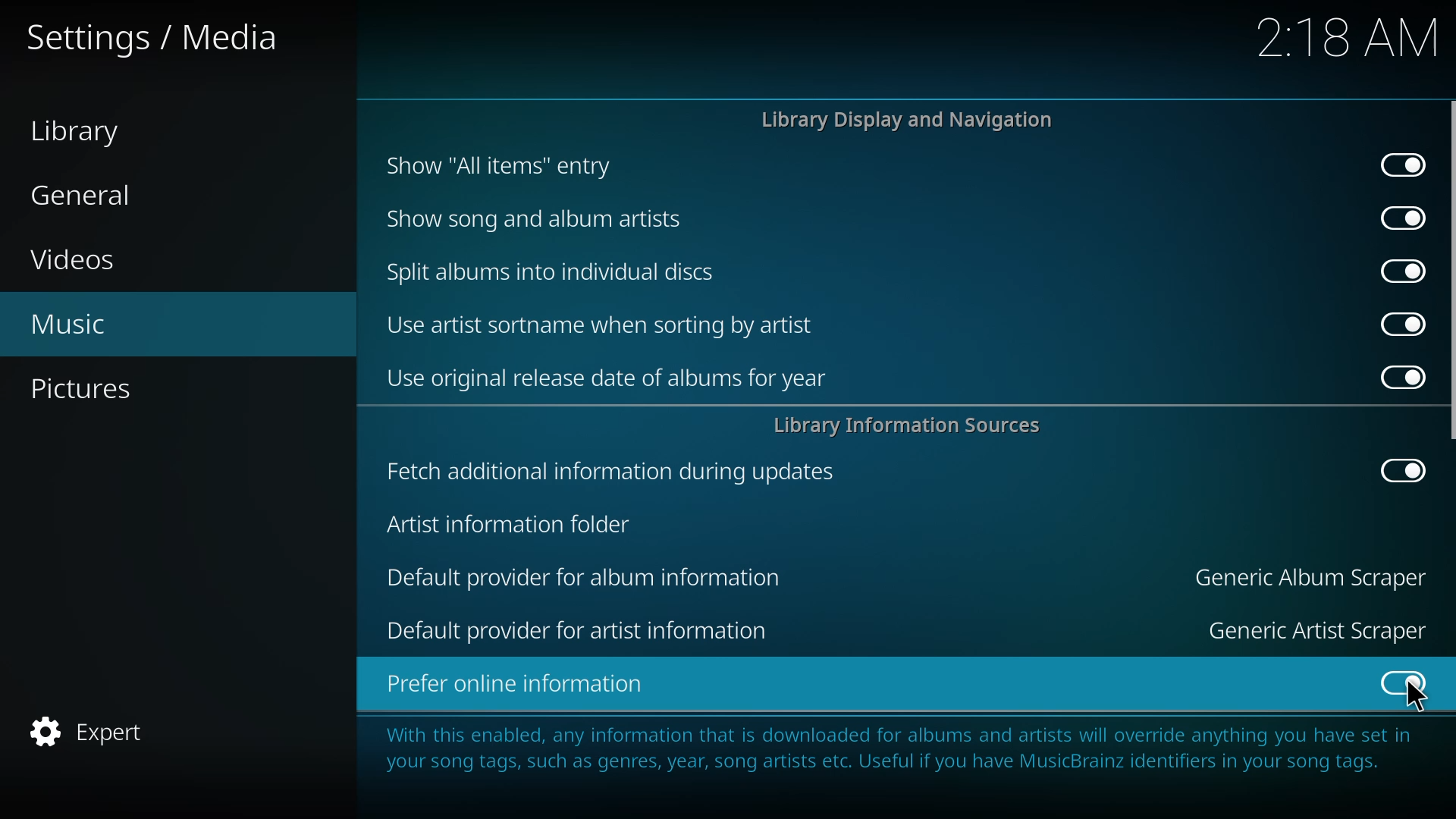  Describe the element at coordinates (88, 731) in the screenshot. I see `expert` at that location.